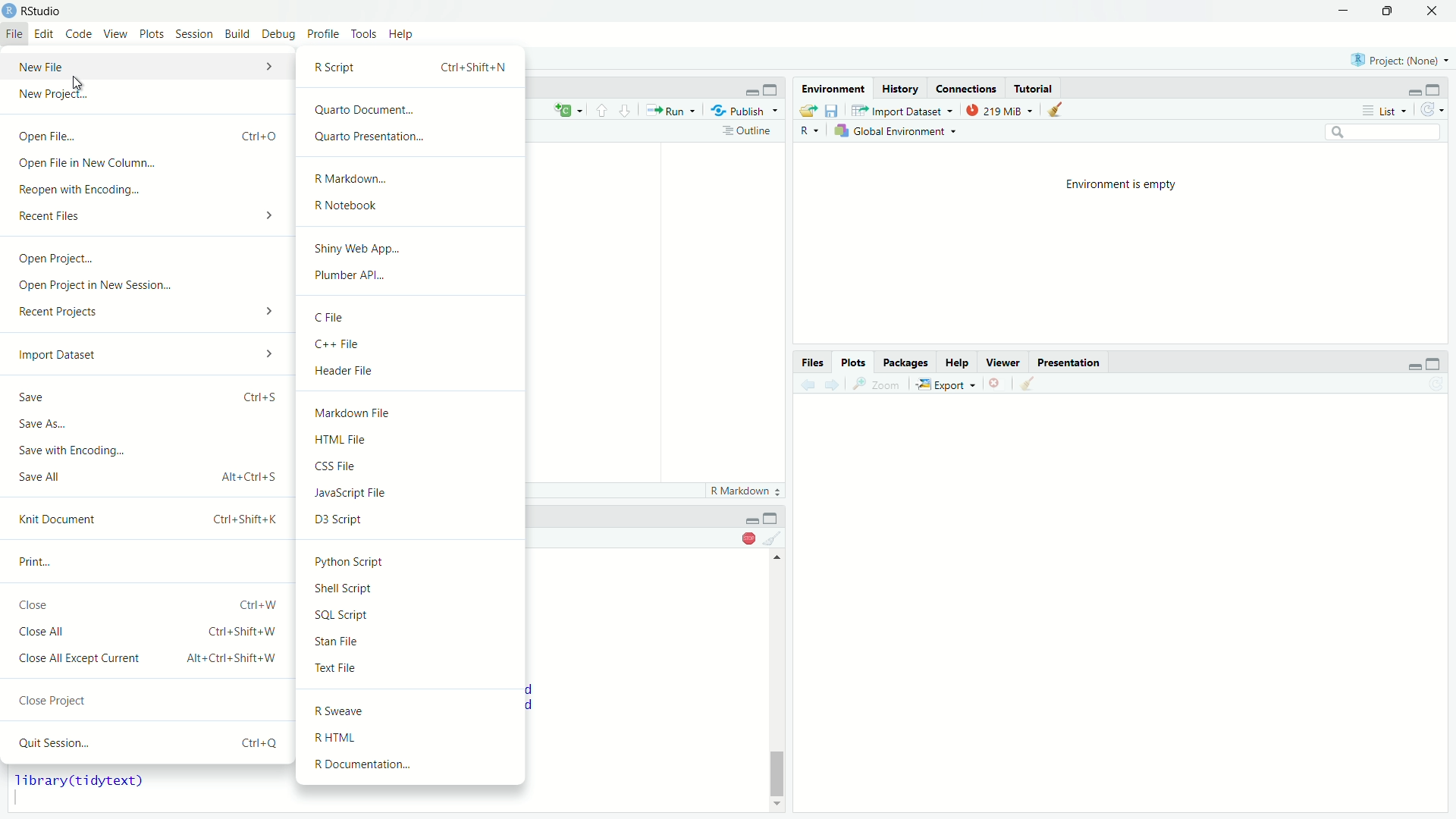 Image resolution: width=1456 pixels, height=819 pixels. What do you see at coordinates (948, 386) in the screenshot?
I see `Export as` at bounding box center [948, 386].